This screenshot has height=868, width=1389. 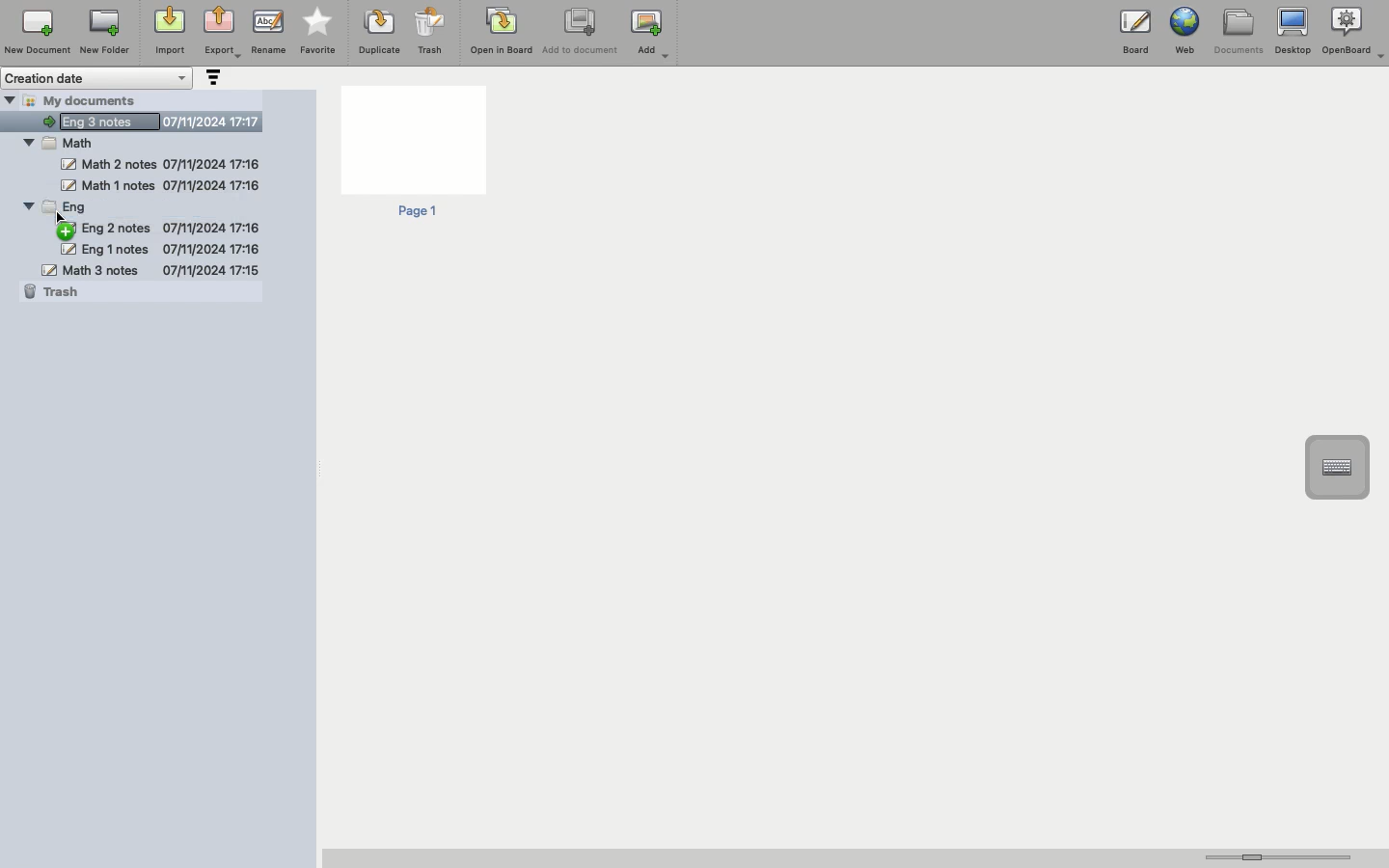 What do you see at coordinates (412, 153) in the screenshot?
I see `Page 1` at bounding box center [412, 153].